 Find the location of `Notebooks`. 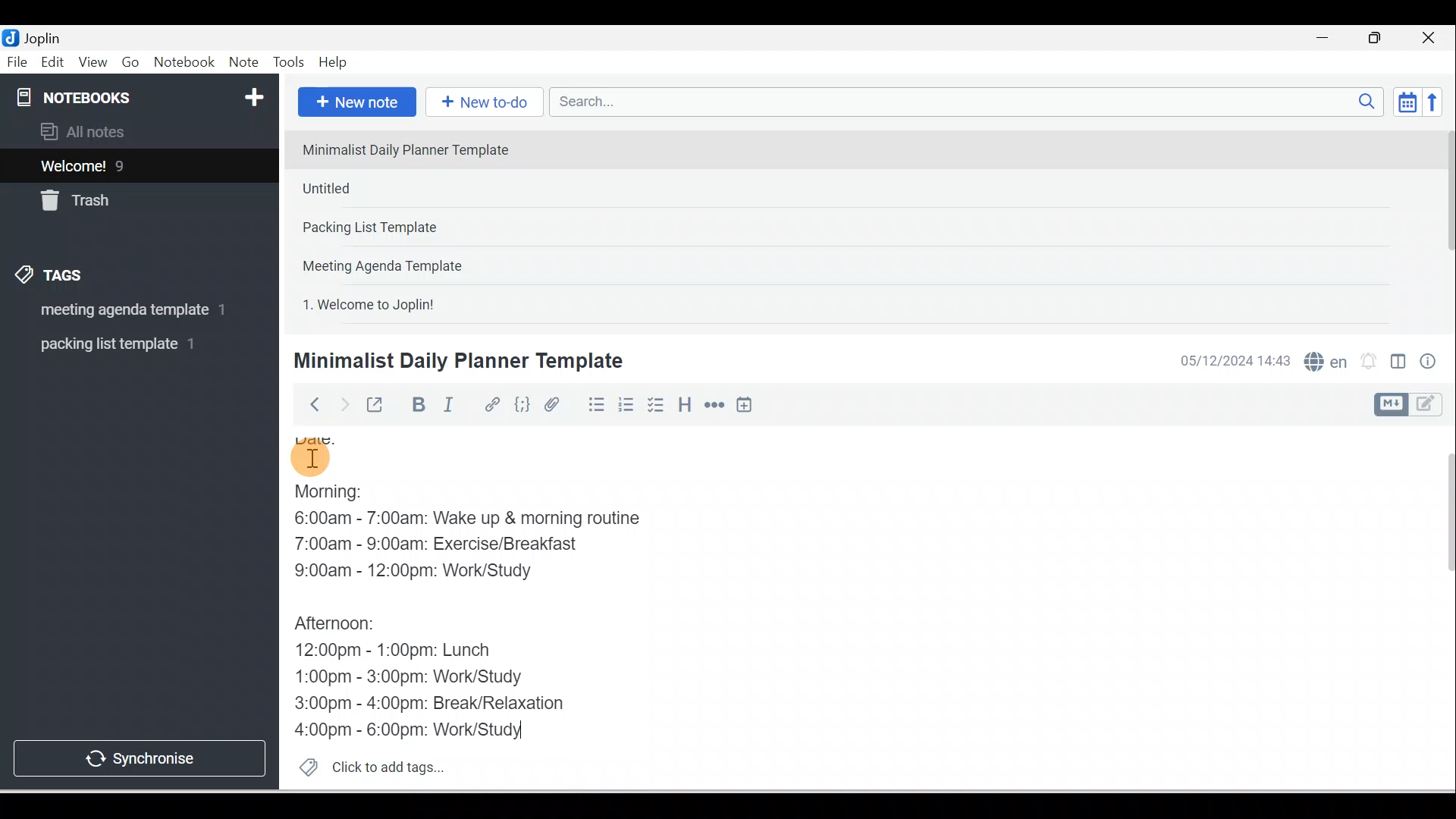

Notebooks is located at coordinates (143, 94).